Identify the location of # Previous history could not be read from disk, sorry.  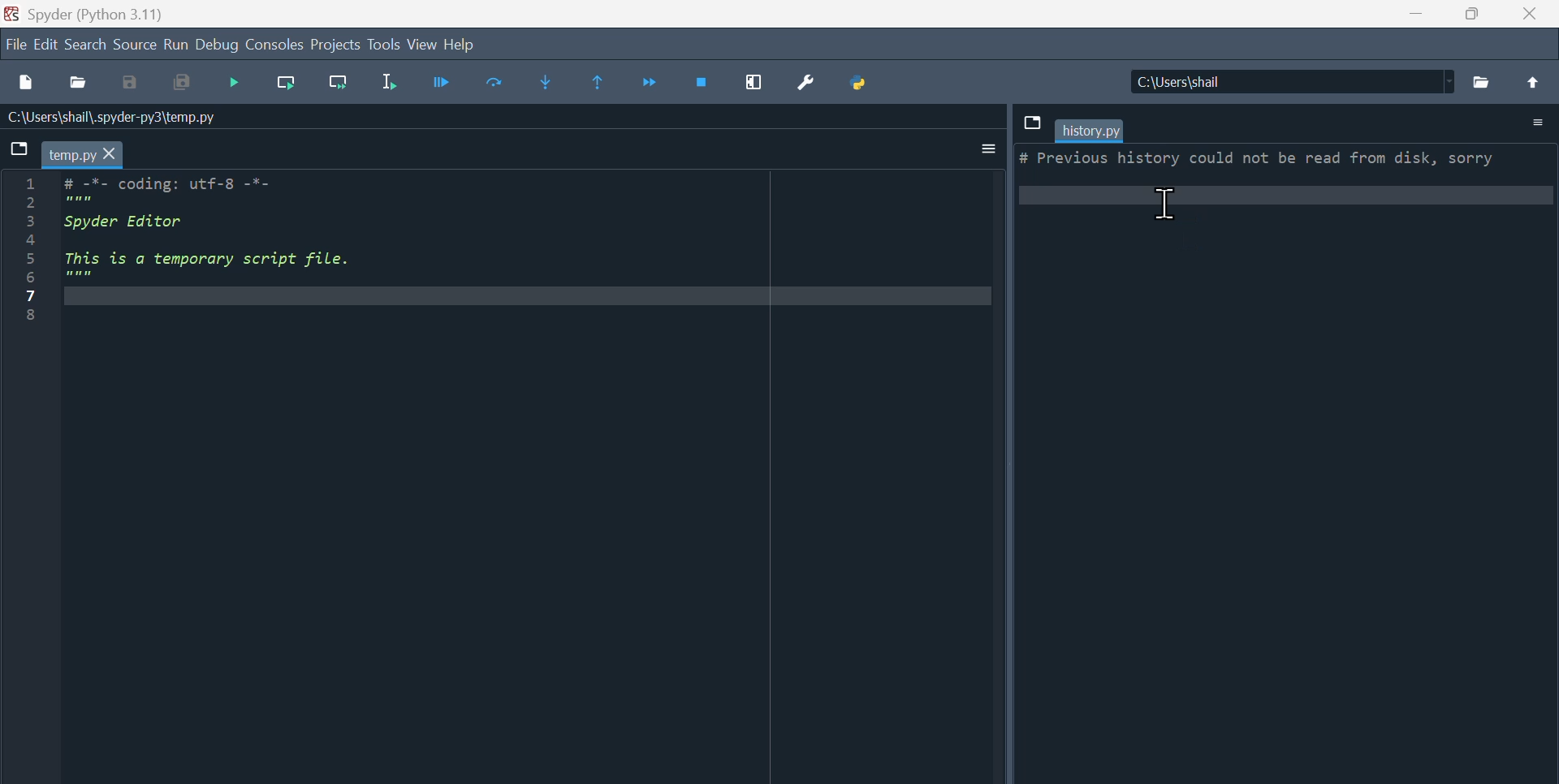
(1287, 179).